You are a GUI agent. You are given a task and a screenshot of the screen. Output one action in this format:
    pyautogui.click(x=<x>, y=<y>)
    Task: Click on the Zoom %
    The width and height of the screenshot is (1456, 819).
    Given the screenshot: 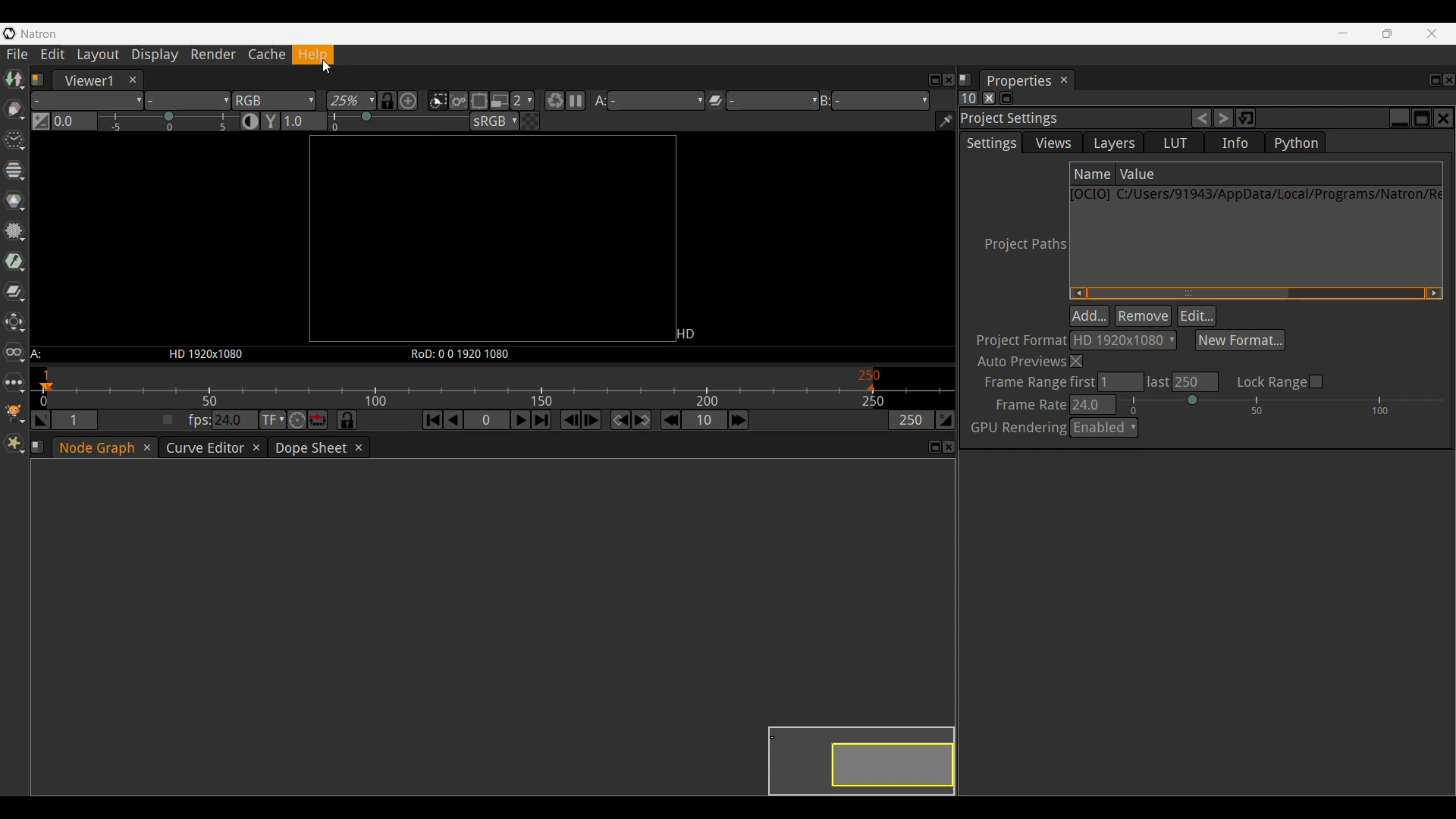 What is the action you would take?
    pyautogui.click(x=352, y=101)
    